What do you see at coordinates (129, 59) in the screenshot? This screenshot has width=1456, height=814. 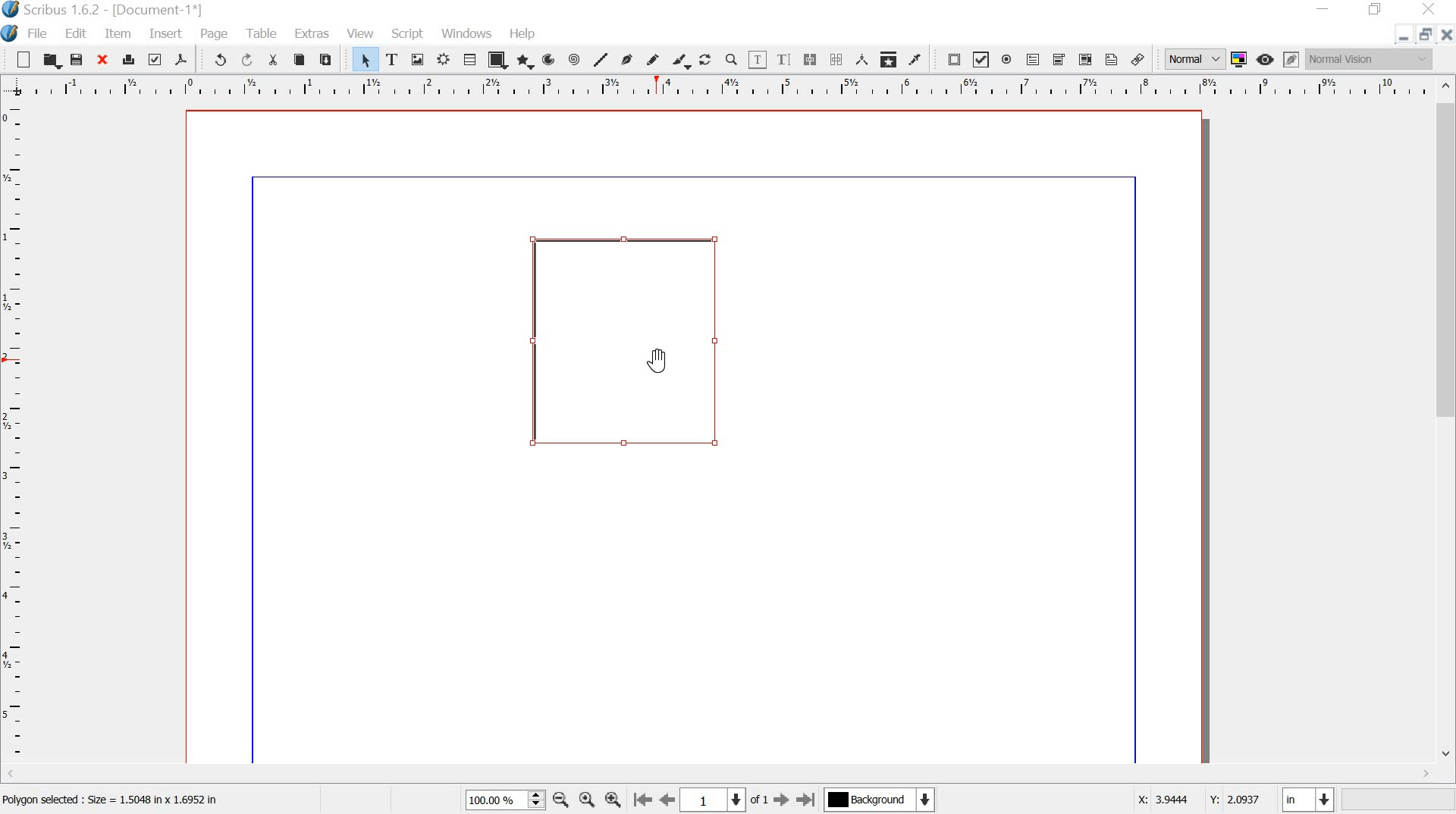 I see `print` at bounding box center [129, 59].